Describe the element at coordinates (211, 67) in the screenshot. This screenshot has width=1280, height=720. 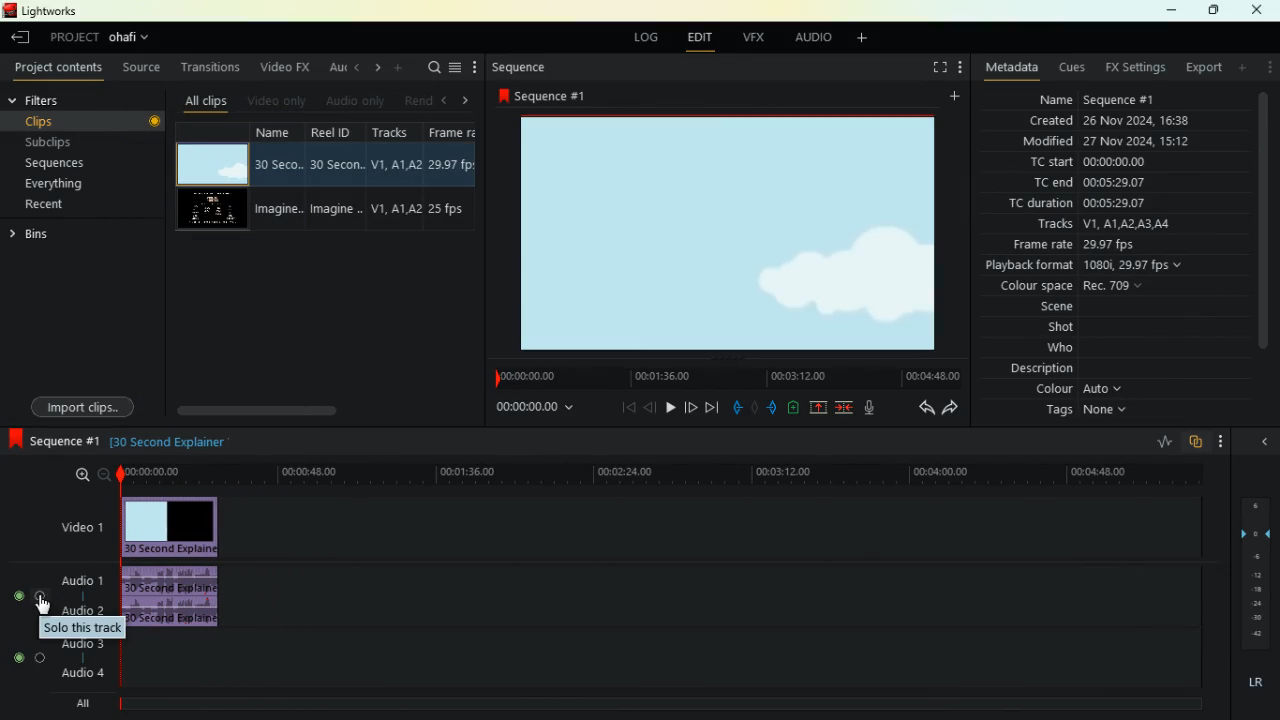
I see `transitions` at that location.